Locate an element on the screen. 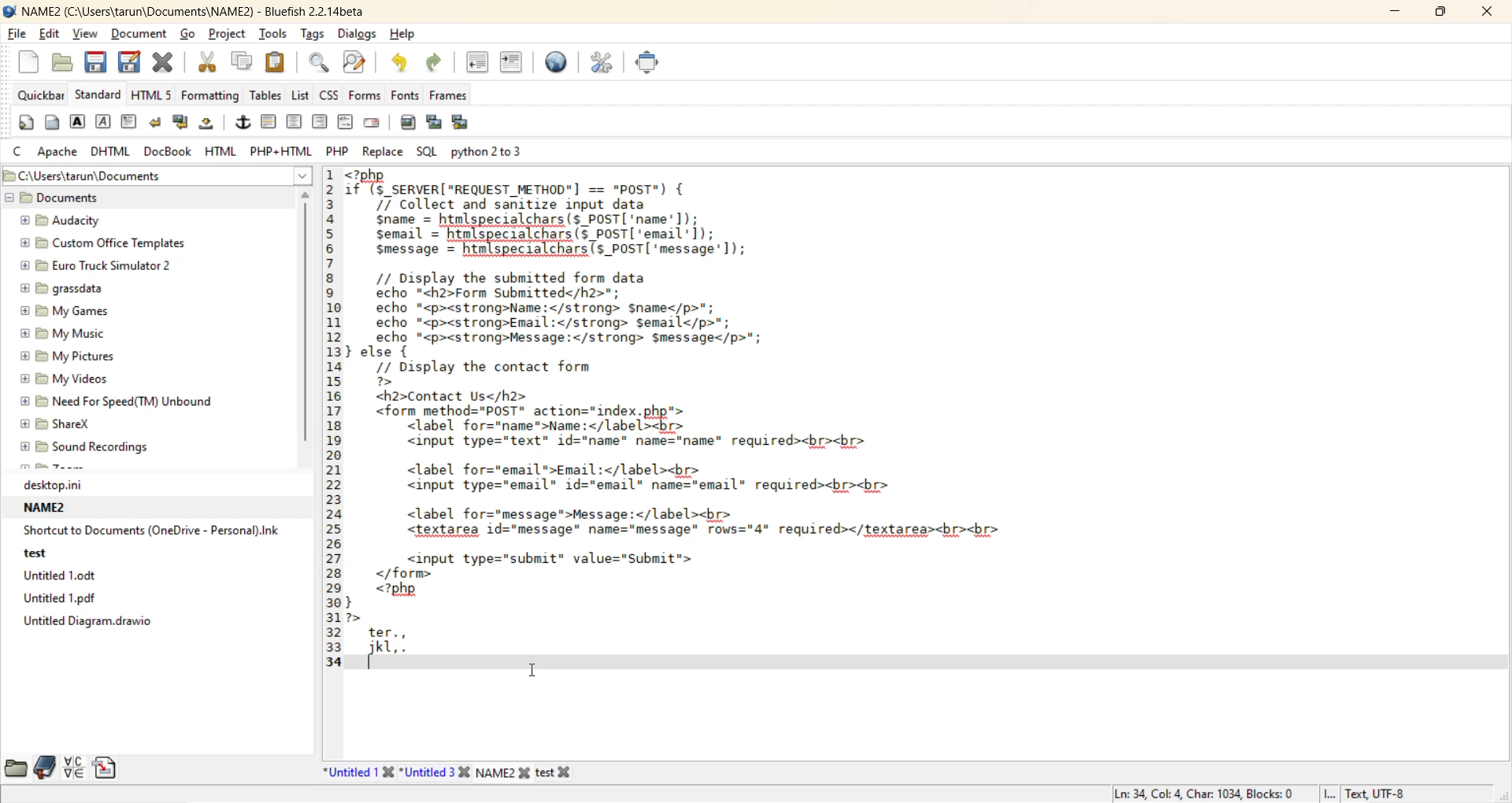 This screenshot has height=803, width=1512. anchor is located at coordinates (244, 124).